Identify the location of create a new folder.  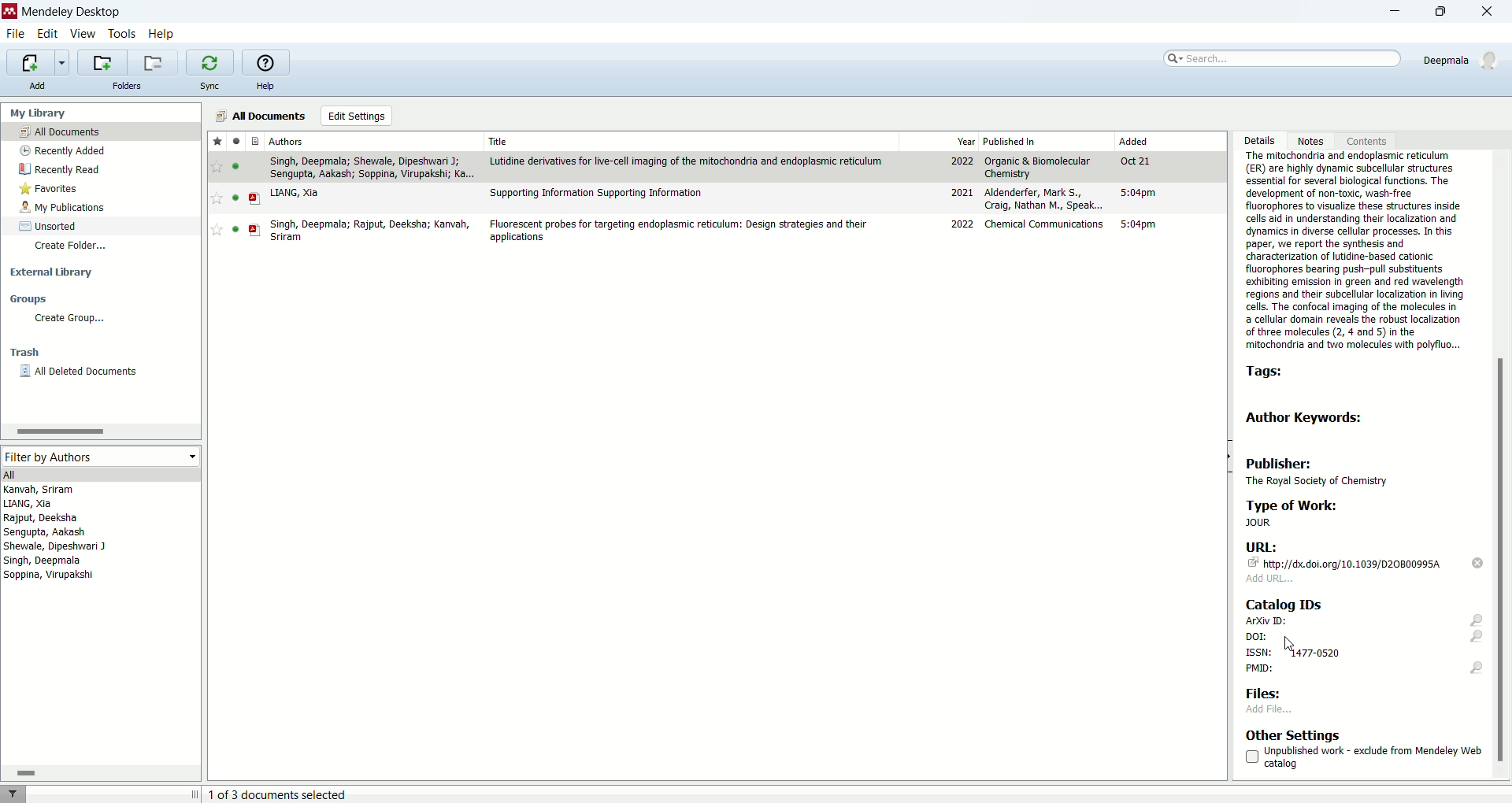
(101, 62).